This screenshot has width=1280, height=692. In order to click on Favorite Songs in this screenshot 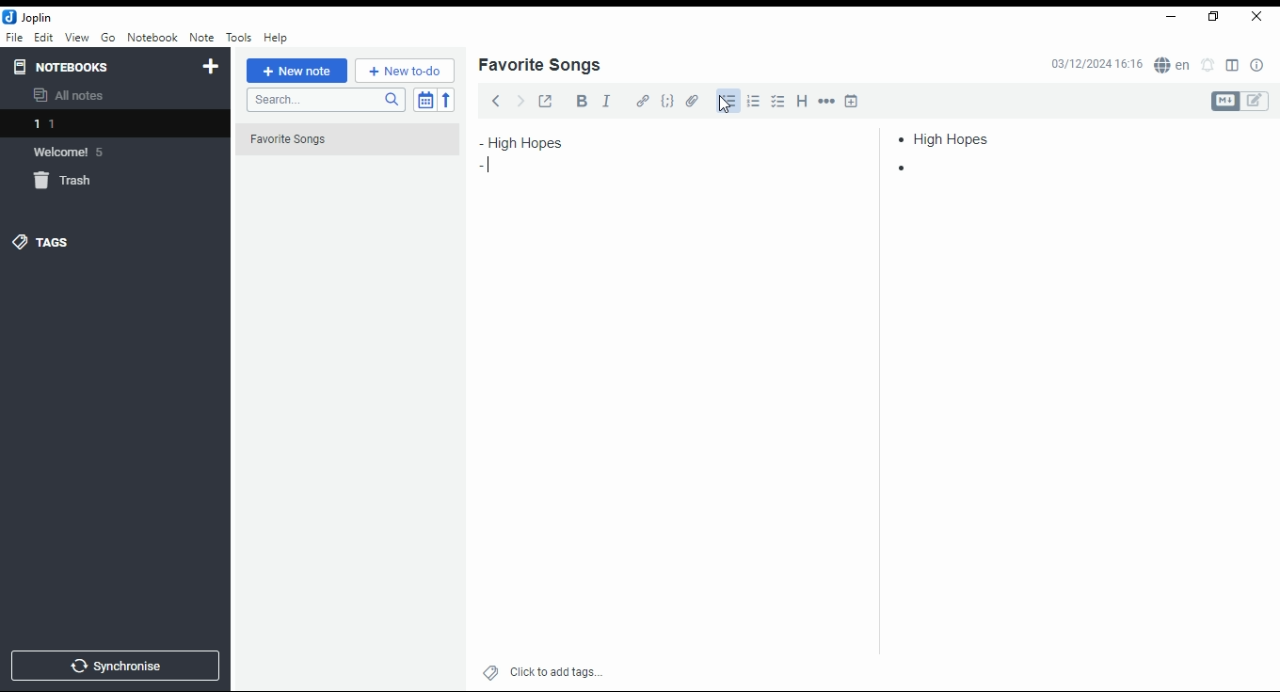, I will do `click(337, 140)`.